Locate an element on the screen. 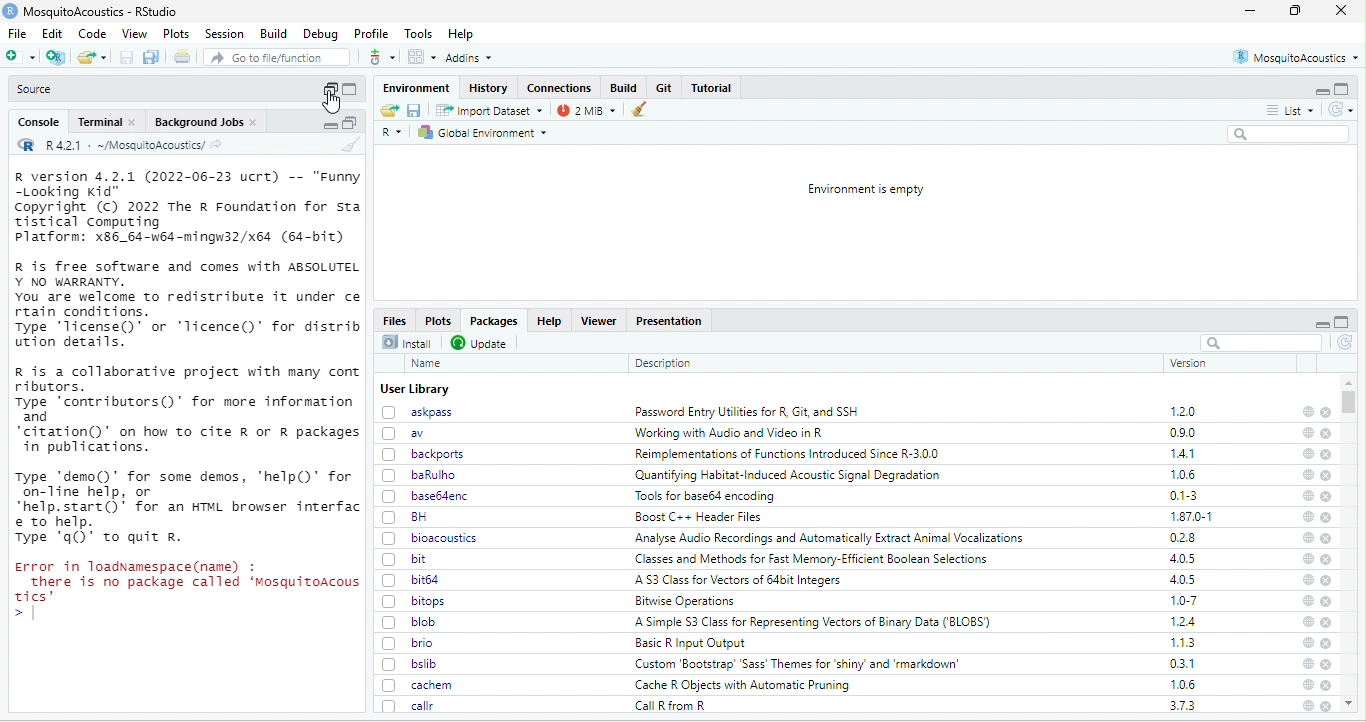 The height and width of the screenshot is (722, 1366). Analyse Audio Recordings and Automatically Extract Animal Vocalizations is located at coordinates (829, 538).